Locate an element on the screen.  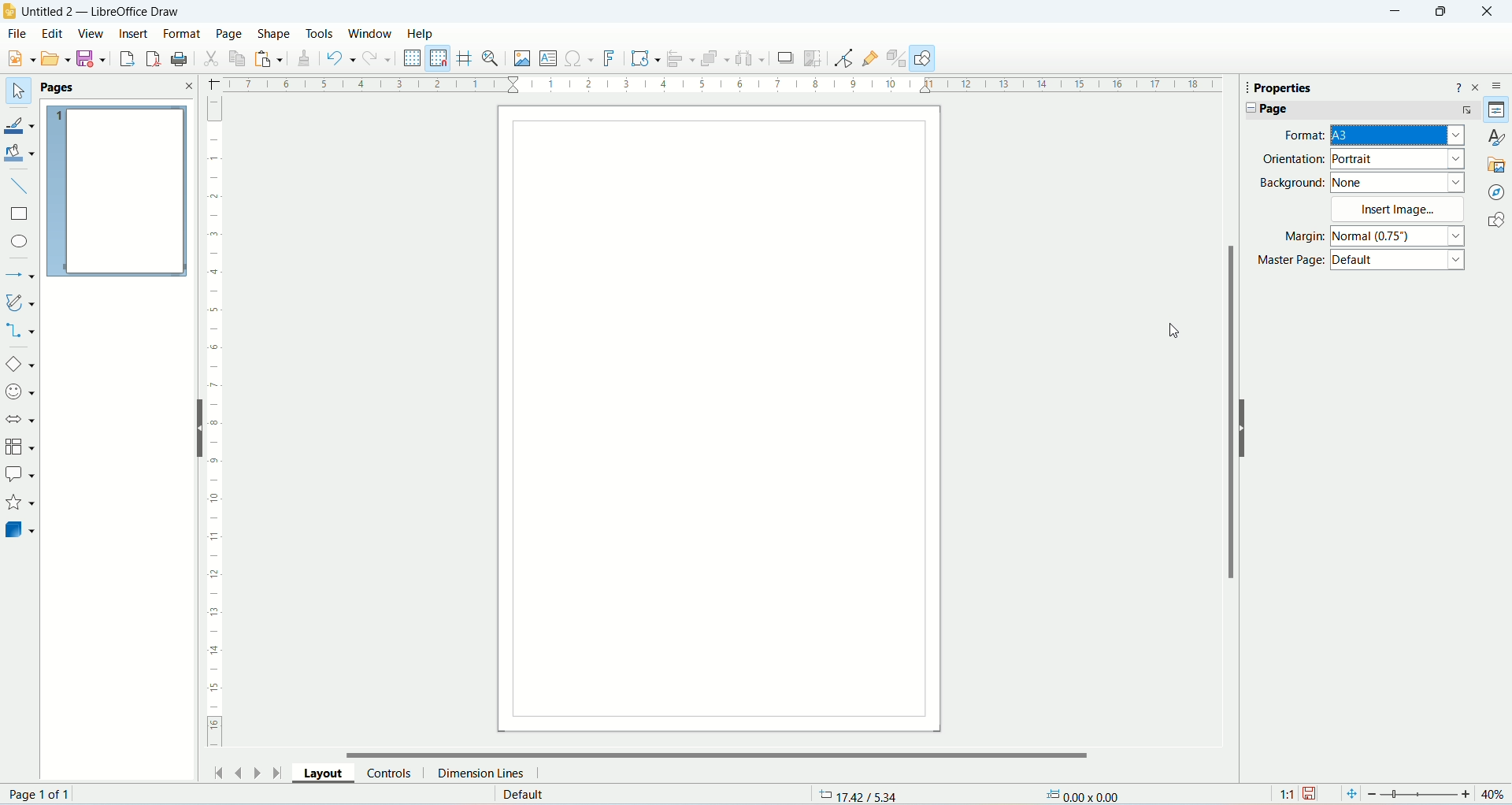
help is located at coordinates (422, 34).